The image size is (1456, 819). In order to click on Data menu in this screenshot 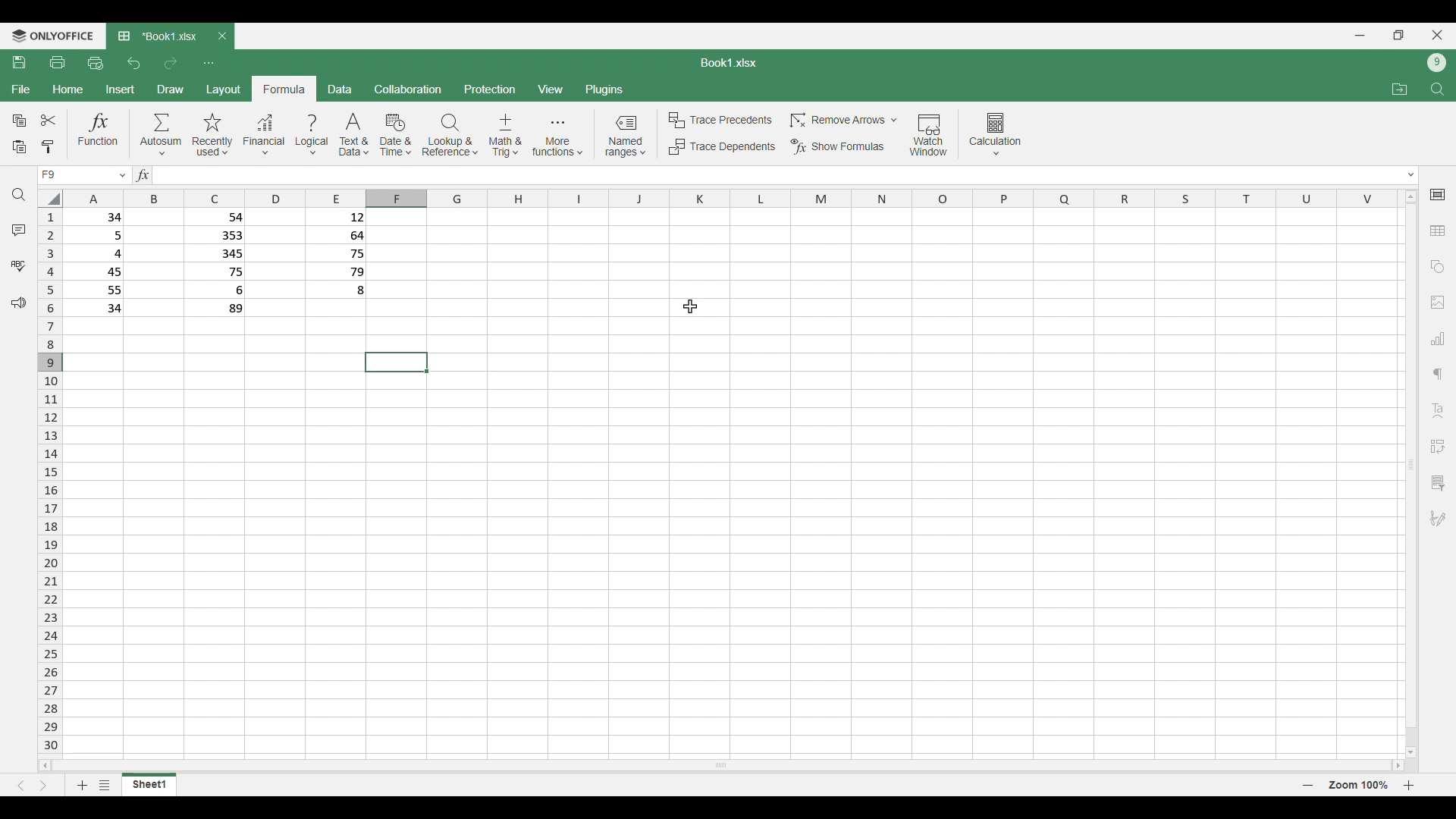, I will do `click(340, 89)`.